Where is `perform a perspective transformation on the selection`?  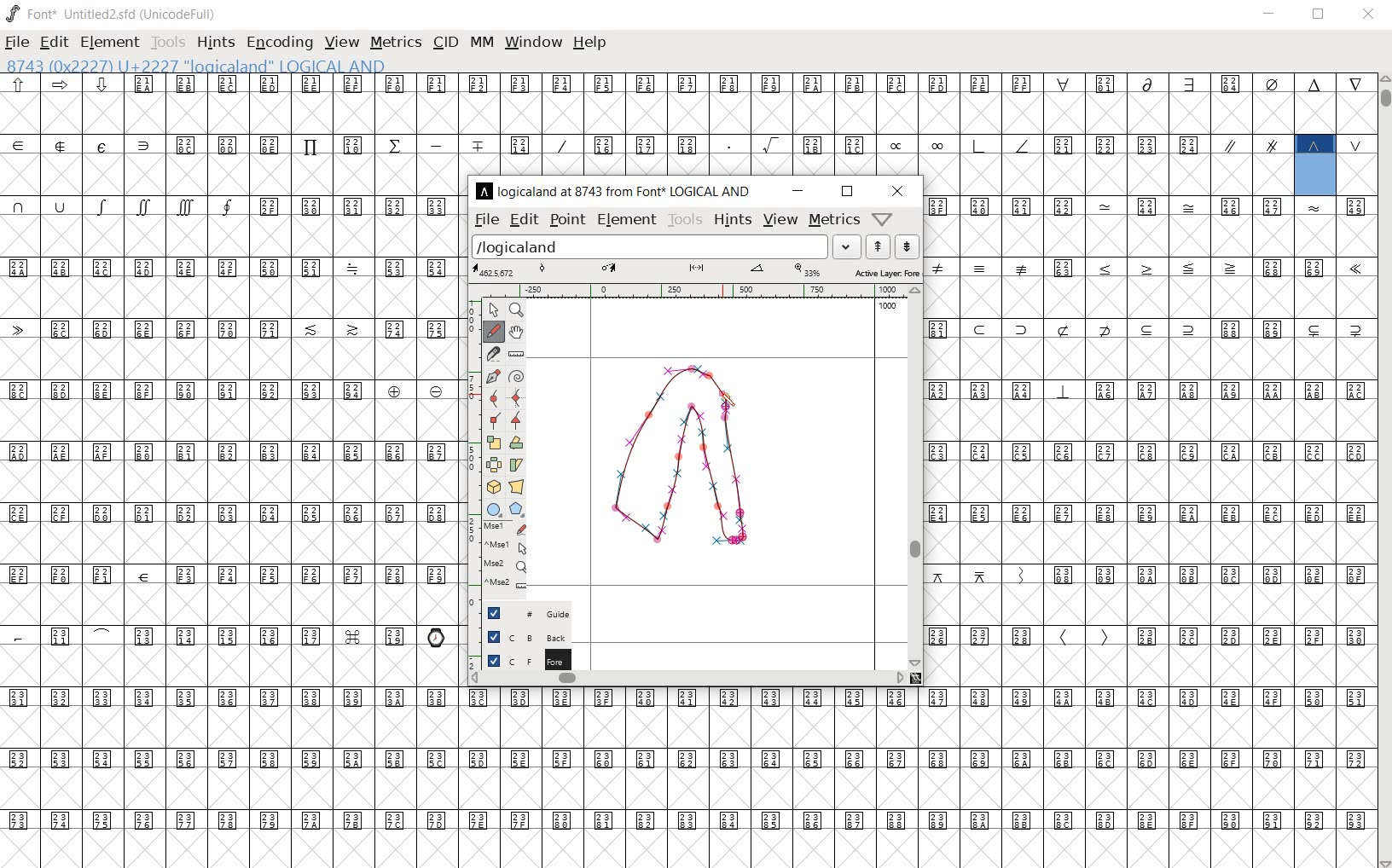 perform a perspective transformation on the selection is located at coordinates (515, 486).